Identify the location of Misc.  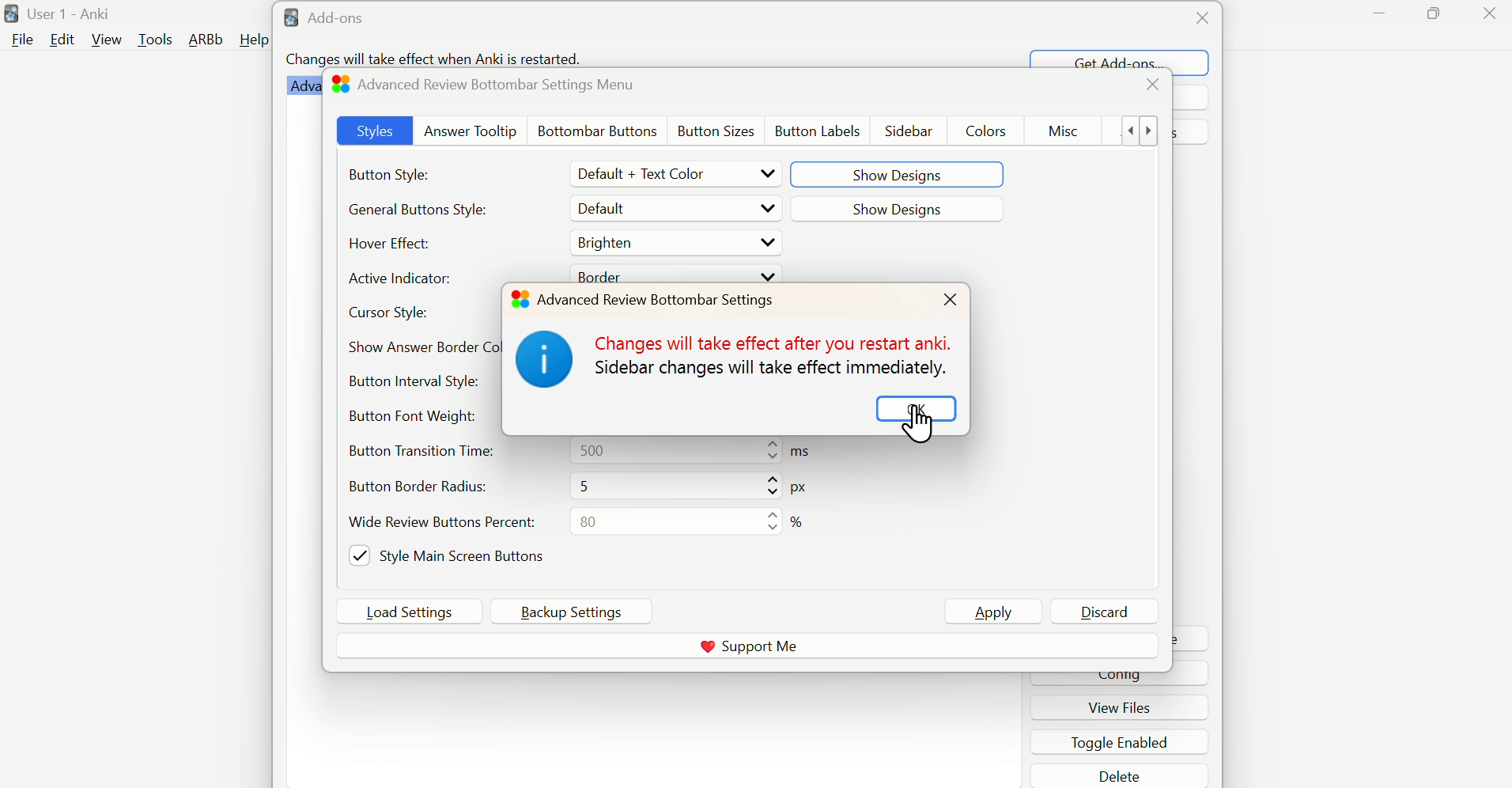
(1064, 133).